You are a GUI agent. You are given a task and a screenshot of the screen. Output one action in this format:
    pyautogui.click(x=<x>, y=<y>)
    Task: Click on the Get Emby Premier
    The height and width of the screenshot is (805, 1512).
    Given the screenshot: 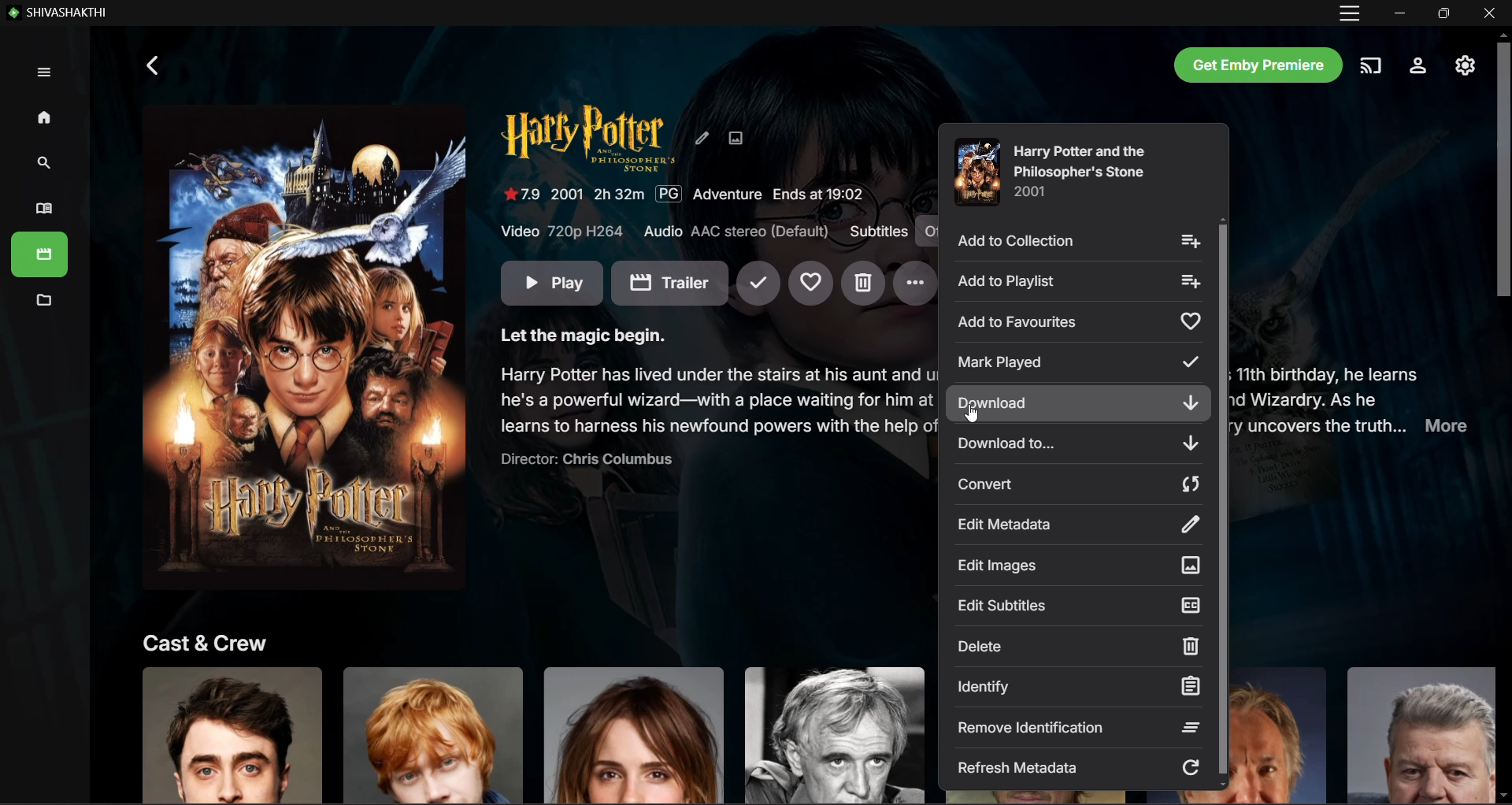 What is the action you would take?
    pyautogui.click(x=1259, y=65)
    